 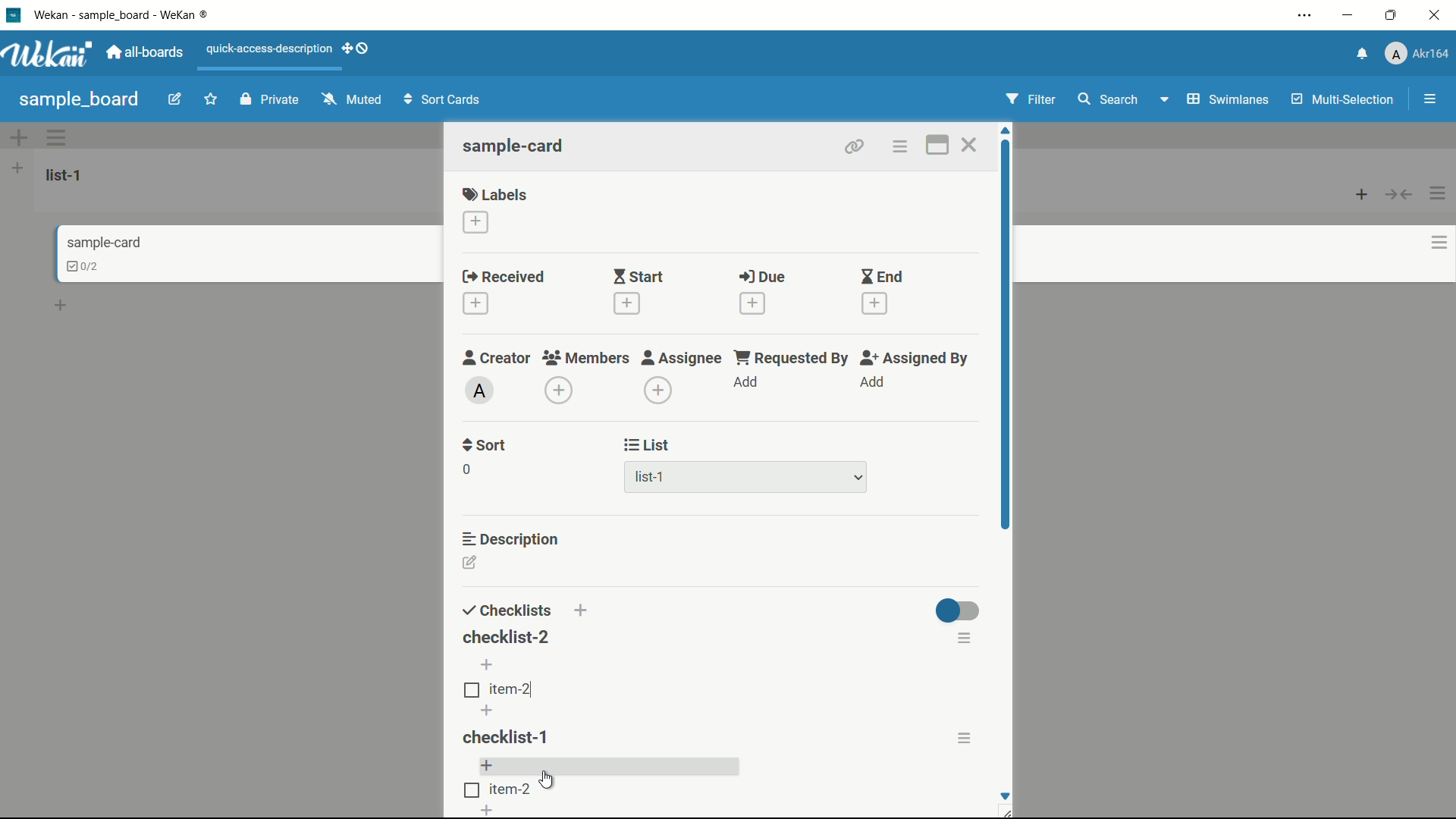 I want to click on checklists, so click(x=509, y=609).